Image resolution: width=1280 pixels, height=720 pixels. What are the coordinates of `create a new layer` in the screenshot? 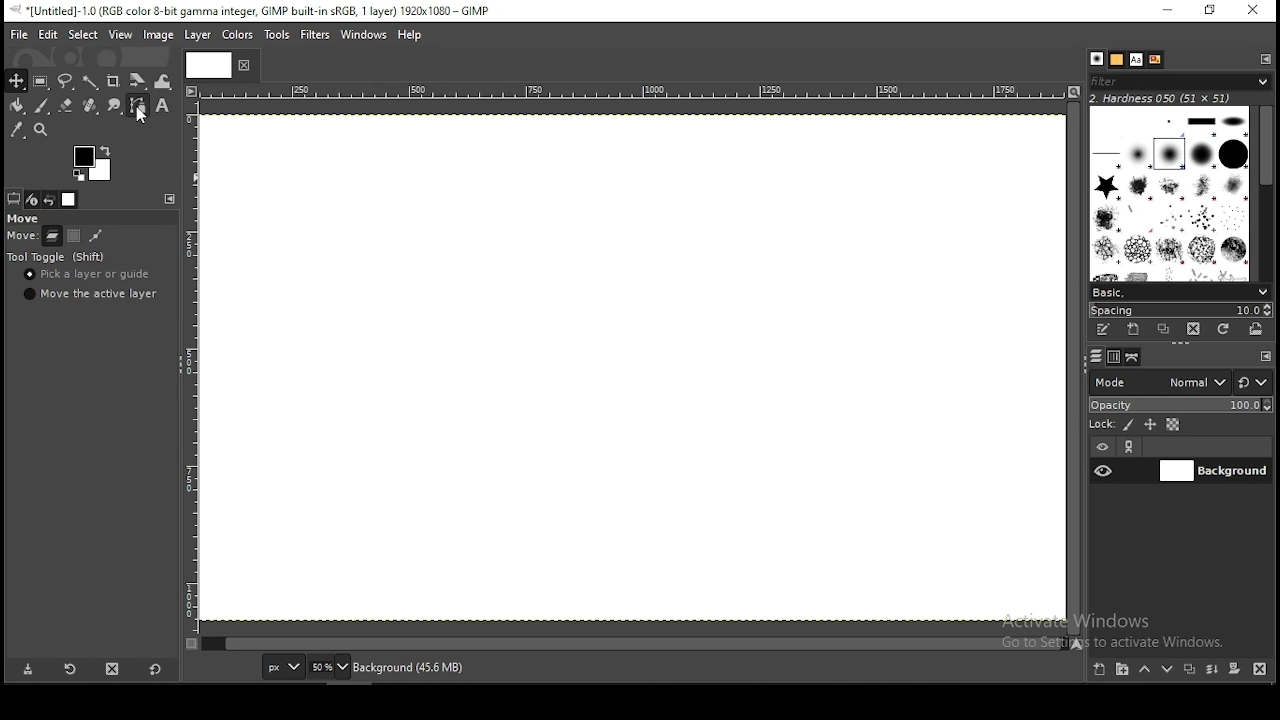 It's located at (1099, 670).